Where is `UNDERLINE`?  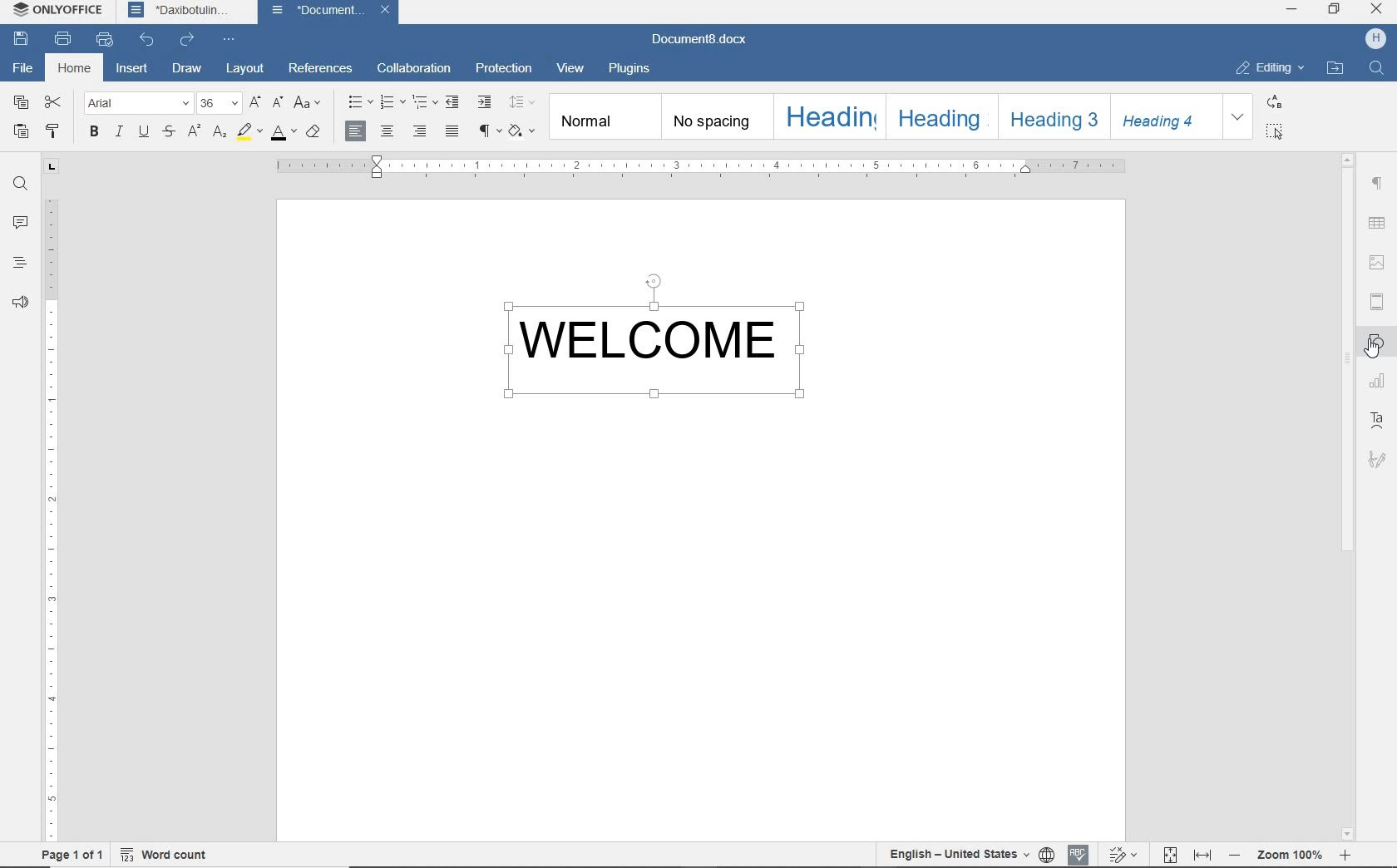
UNDERLINE is located at coordinates (146, 131).